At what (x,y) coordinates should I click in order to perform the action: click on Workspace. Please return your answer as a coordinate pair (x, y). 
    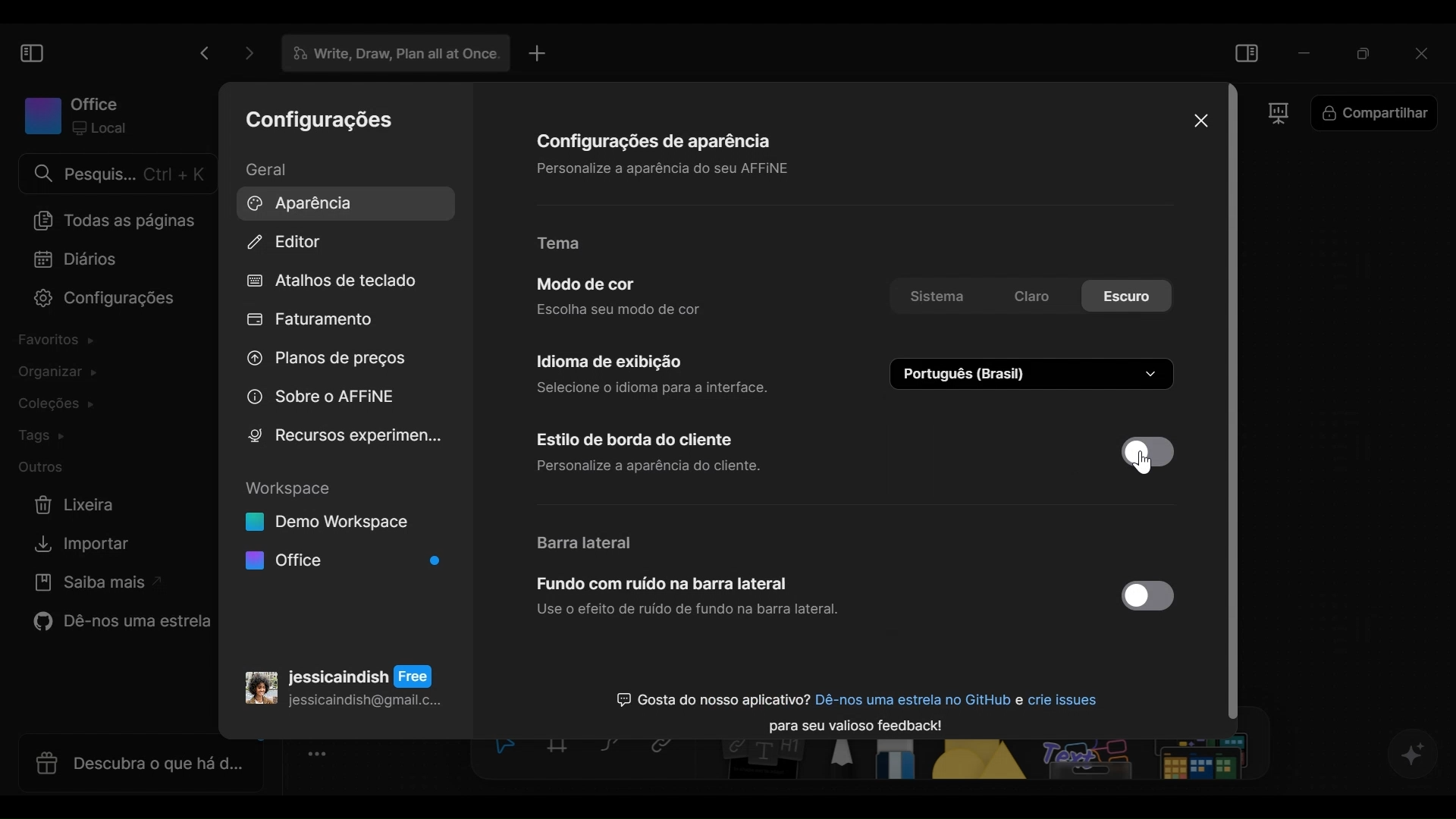
    Looking at the image, I should click on (76, 115).